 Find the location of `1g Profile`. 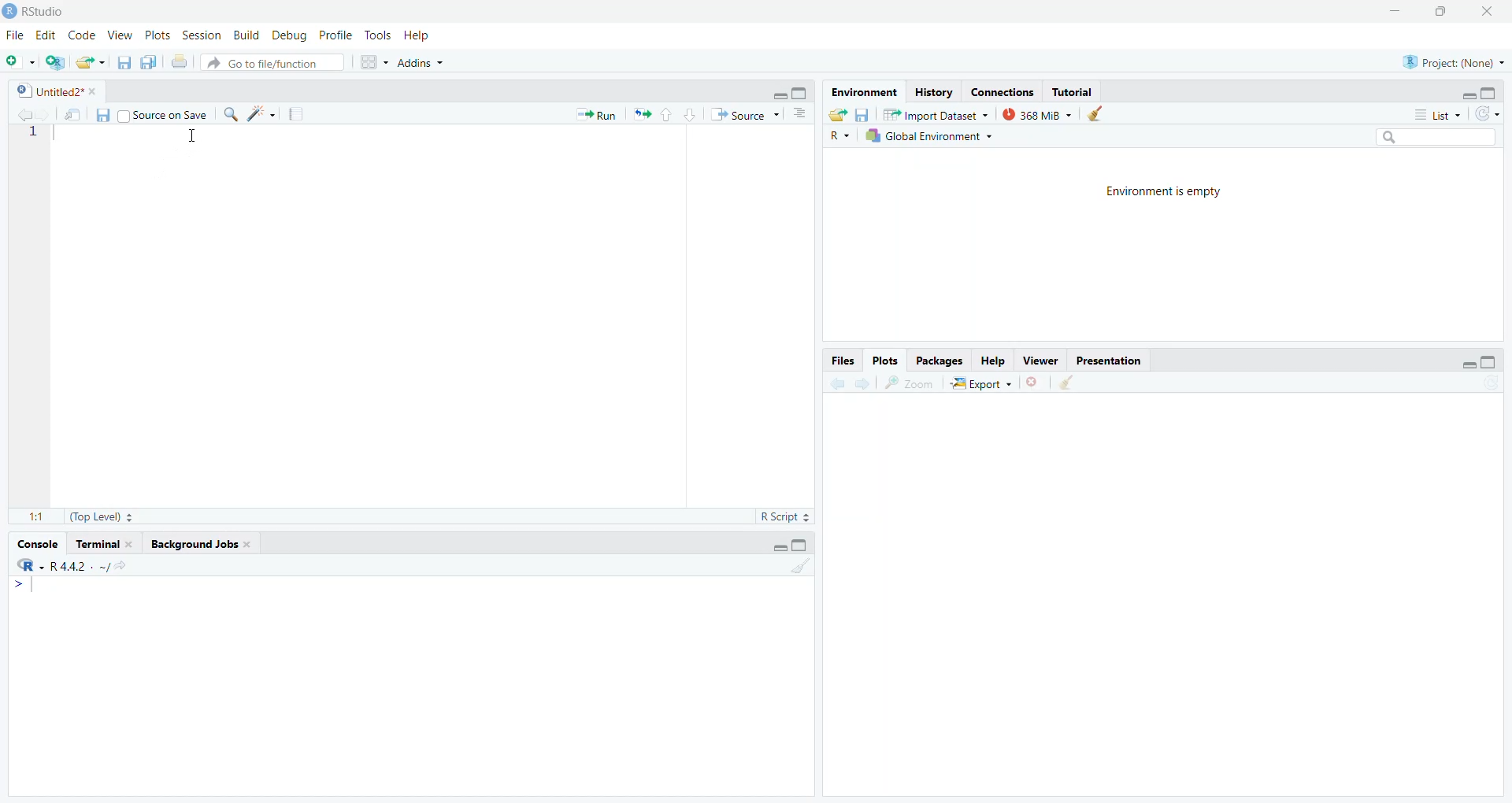

1g Profile is located at coordinates (335, 36).